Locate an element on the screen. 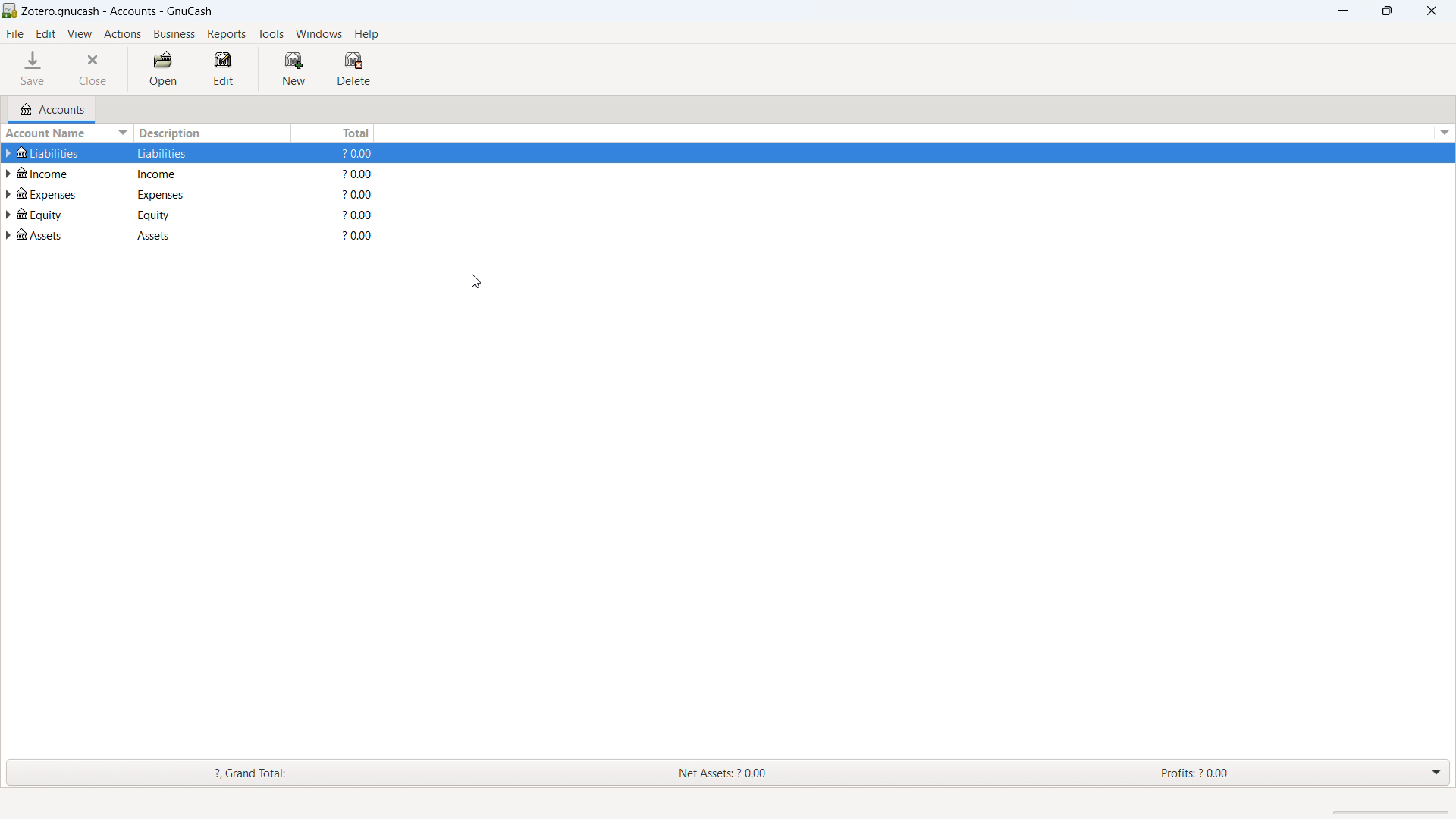 This screenshot has height=819, width=1456. save is located at coordinates (35, 69).